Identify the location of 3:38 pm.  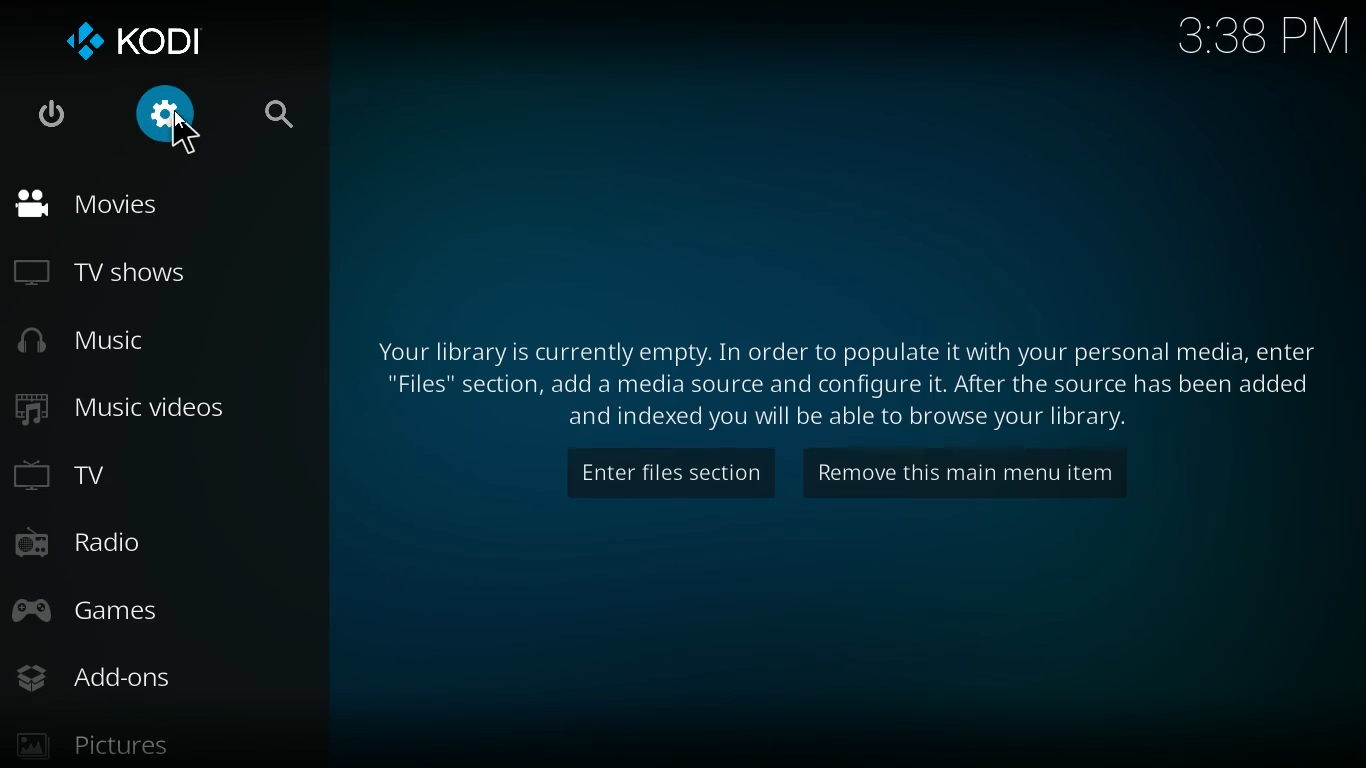
(1256, 34).